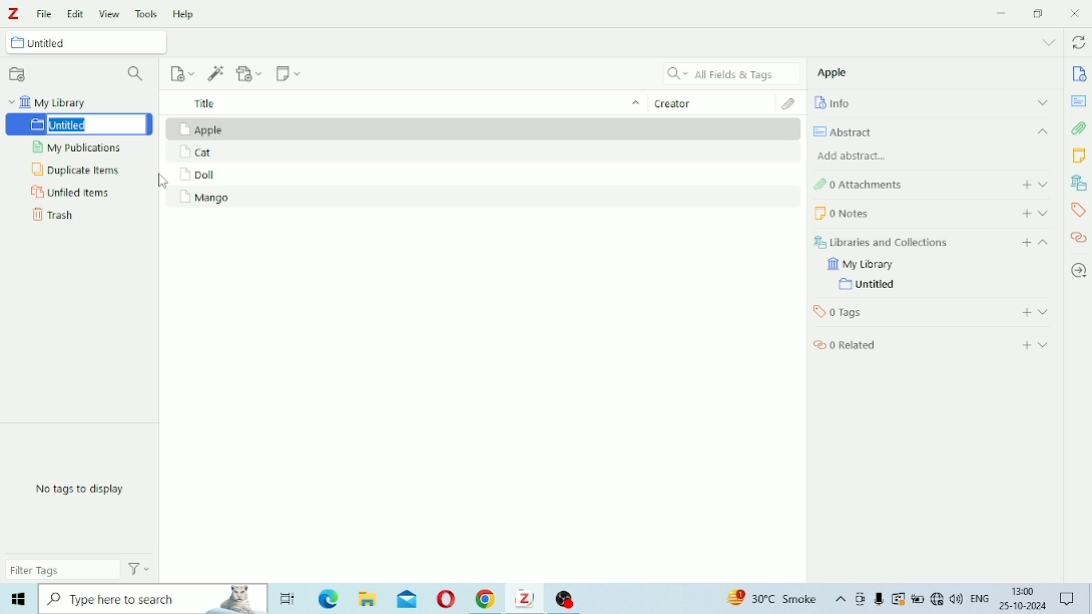 Image resolution: width=1092 pixels, height=614 pixels. I want to click on cursor, so click(165, 183).